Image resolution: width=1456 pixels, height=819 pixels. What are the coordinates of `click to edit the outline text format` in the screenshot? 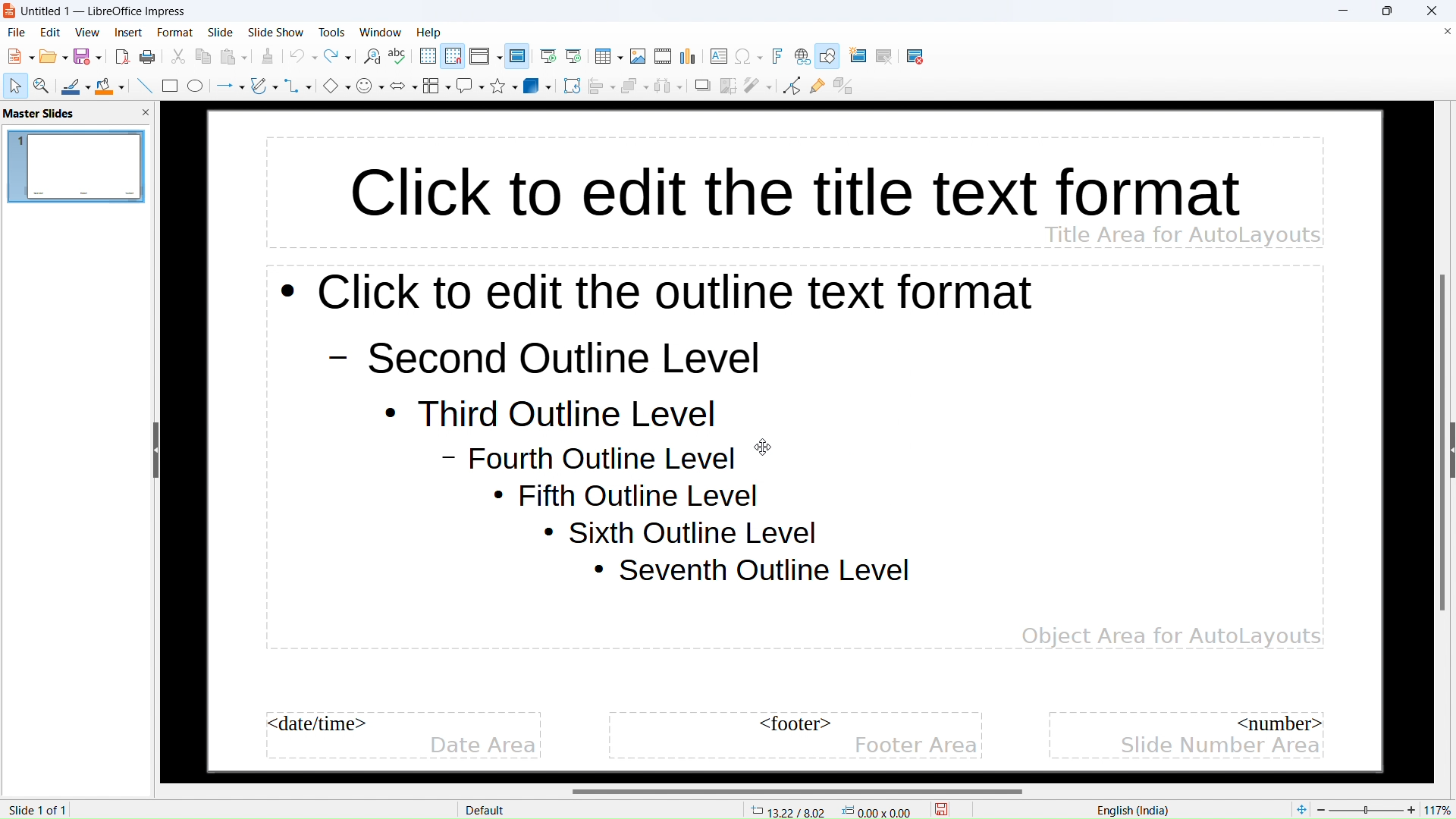 It's located at (664, 296).